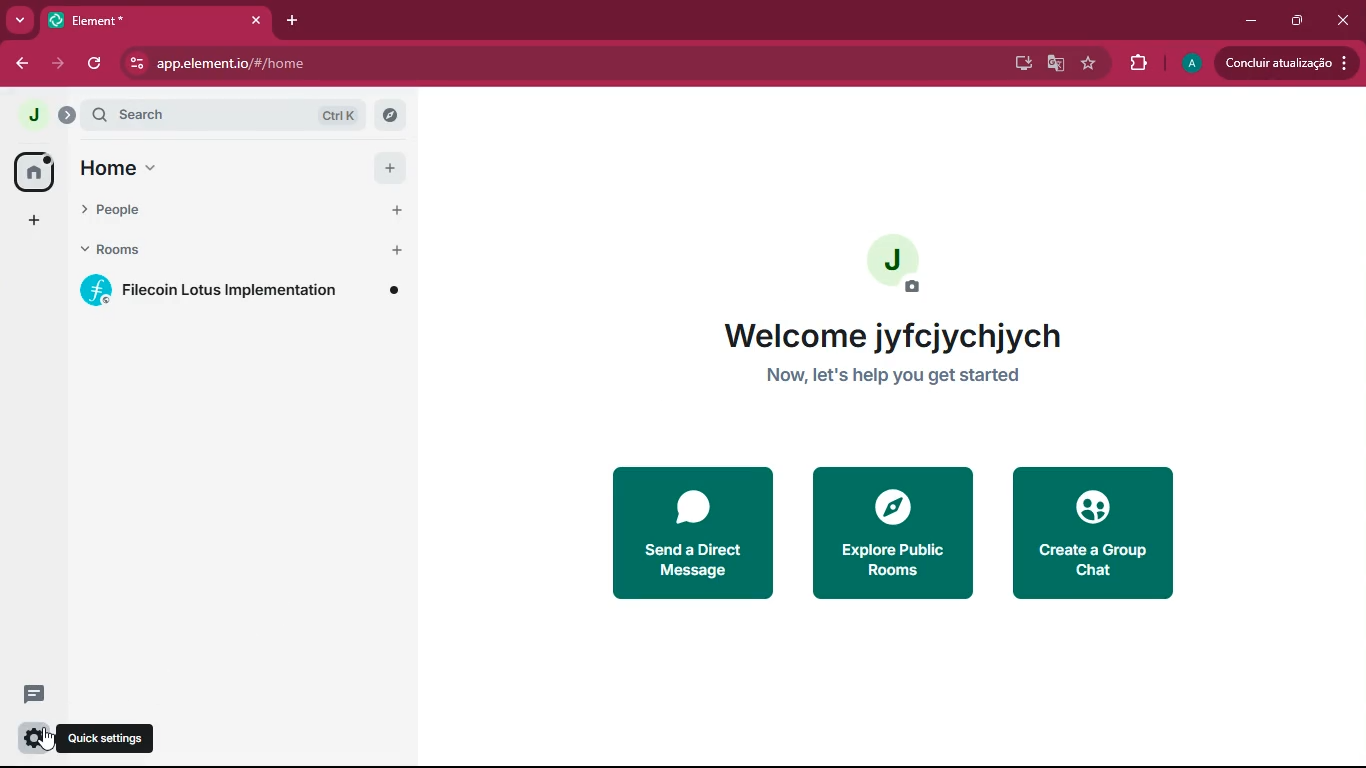 The width and height of the screenshot is (1366, 768). Describe the element at coordinates (1293, 18) in the screenshot. I see `maximize` at that location.